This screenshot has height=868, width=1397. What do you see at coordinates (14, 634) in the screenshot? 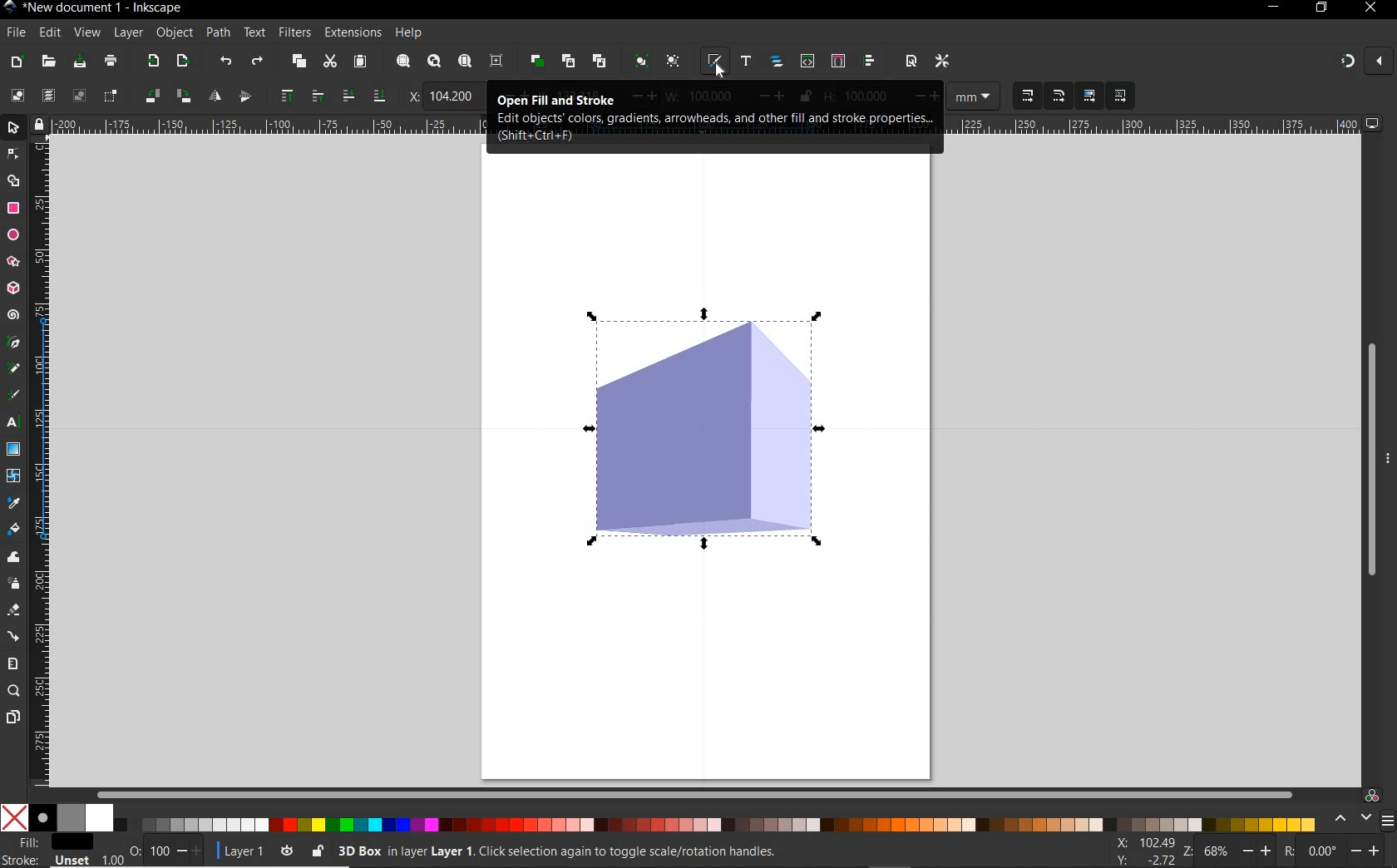
I see `CONNECTOR TOOL` at bounding box center [14, 634].